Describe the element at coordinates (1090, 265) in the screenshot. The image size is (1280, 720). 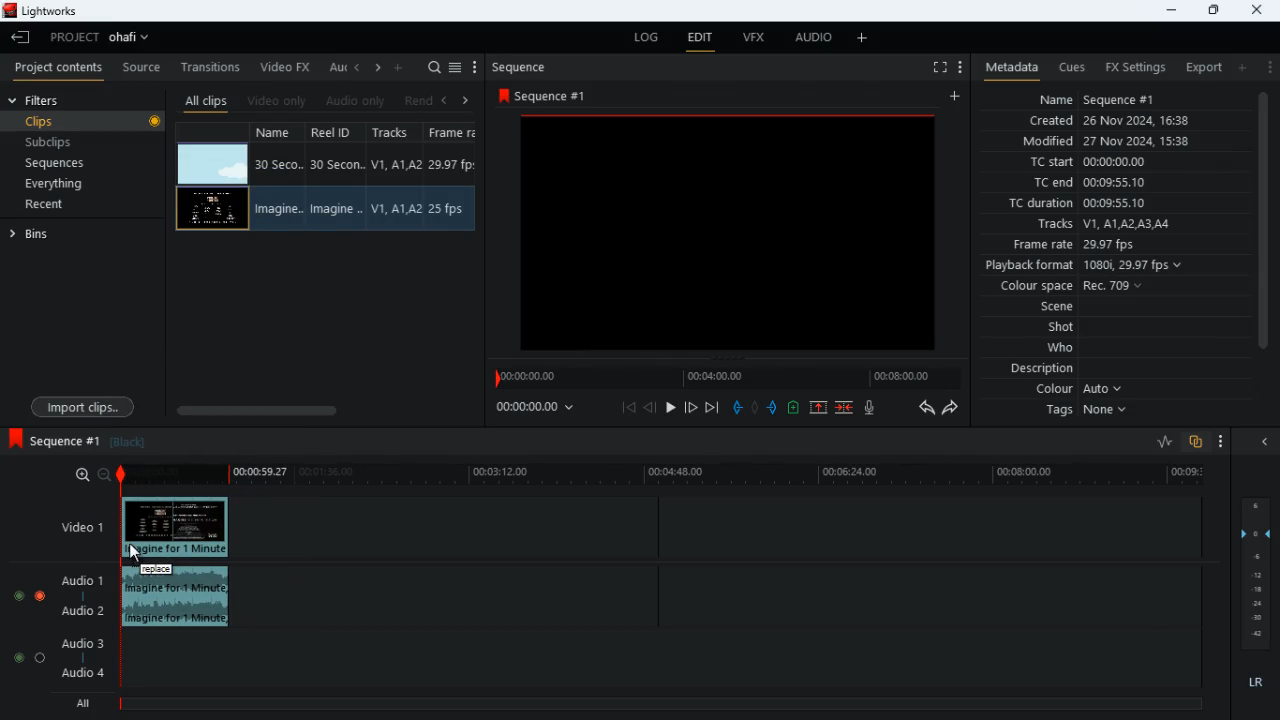
I see `playback format` at that location.